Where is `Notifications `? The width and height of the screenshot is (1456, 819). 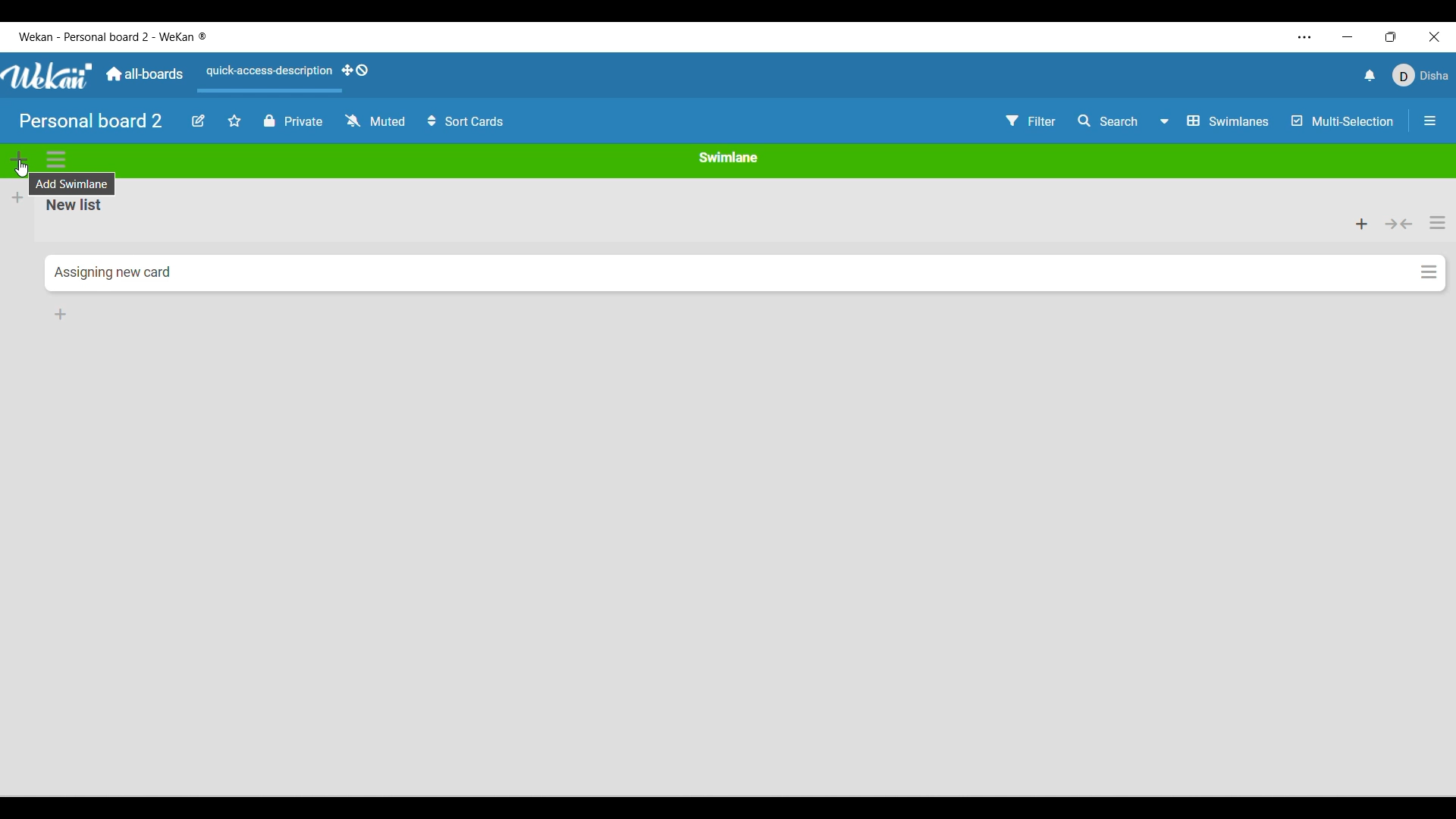 Notifications  is located at coordinates (1370, 75).